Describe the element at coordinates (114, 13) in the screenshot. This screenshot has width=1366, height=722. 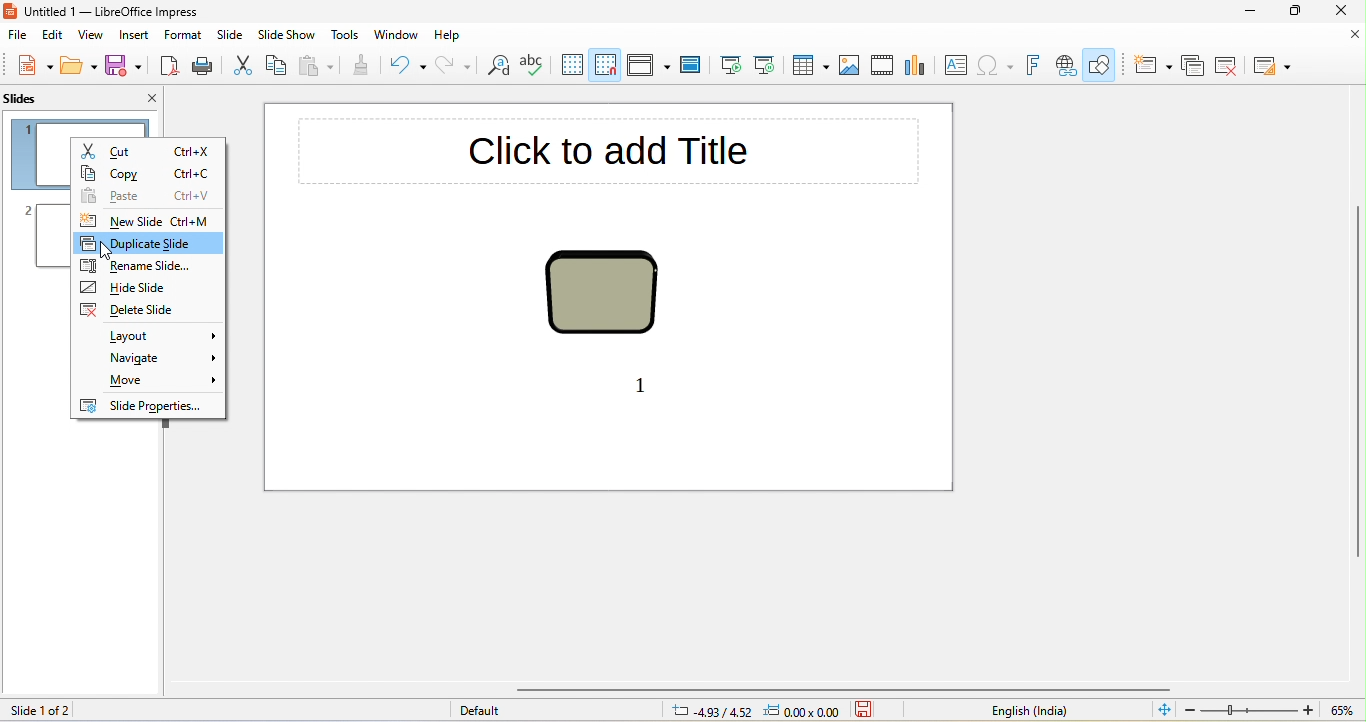
I see `untitled 1- libre office impress` at that location.